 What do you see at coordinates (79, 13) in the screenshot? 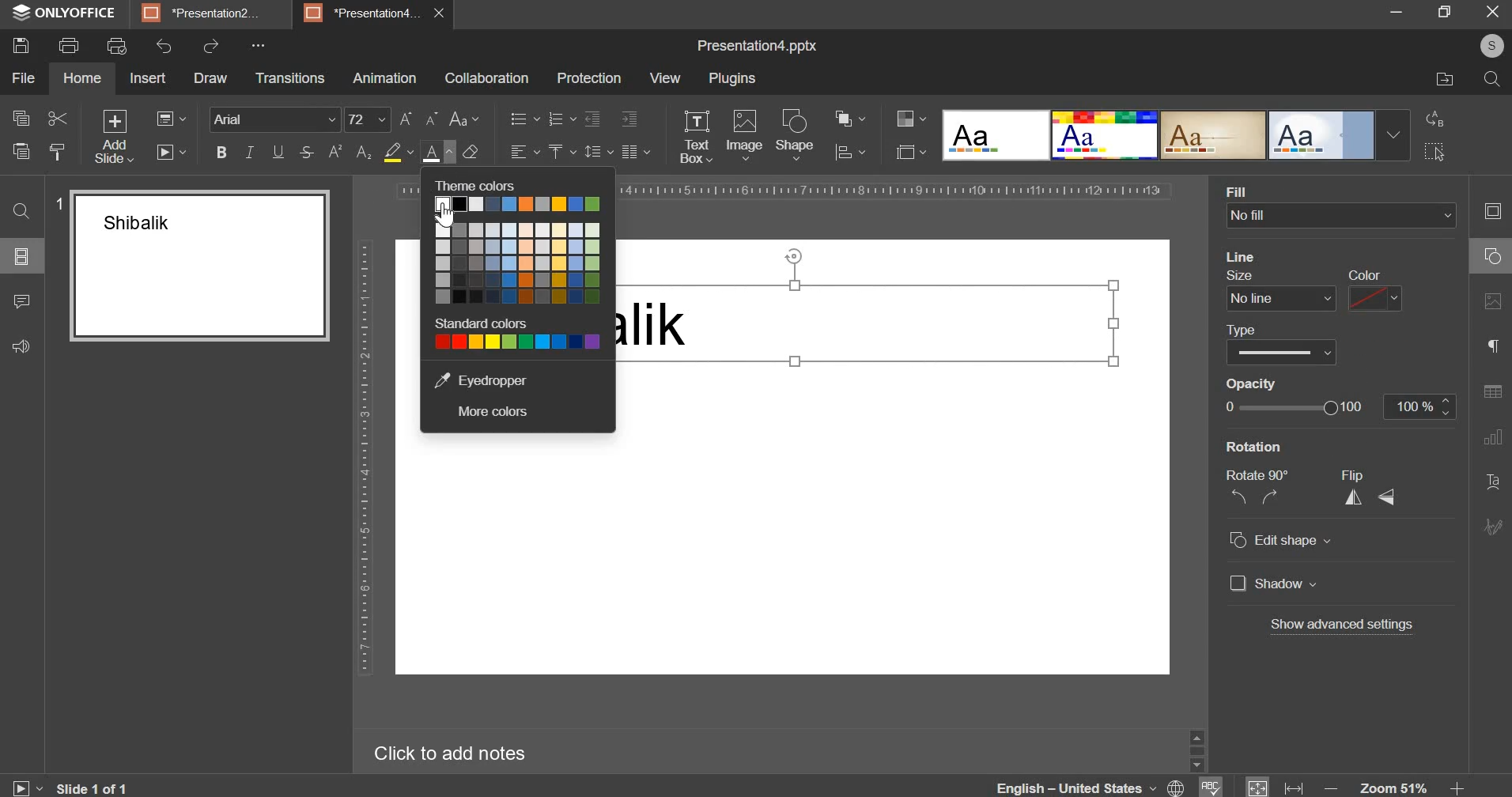
I see `ONLYOFFICE` at bounding box center [79, 13].